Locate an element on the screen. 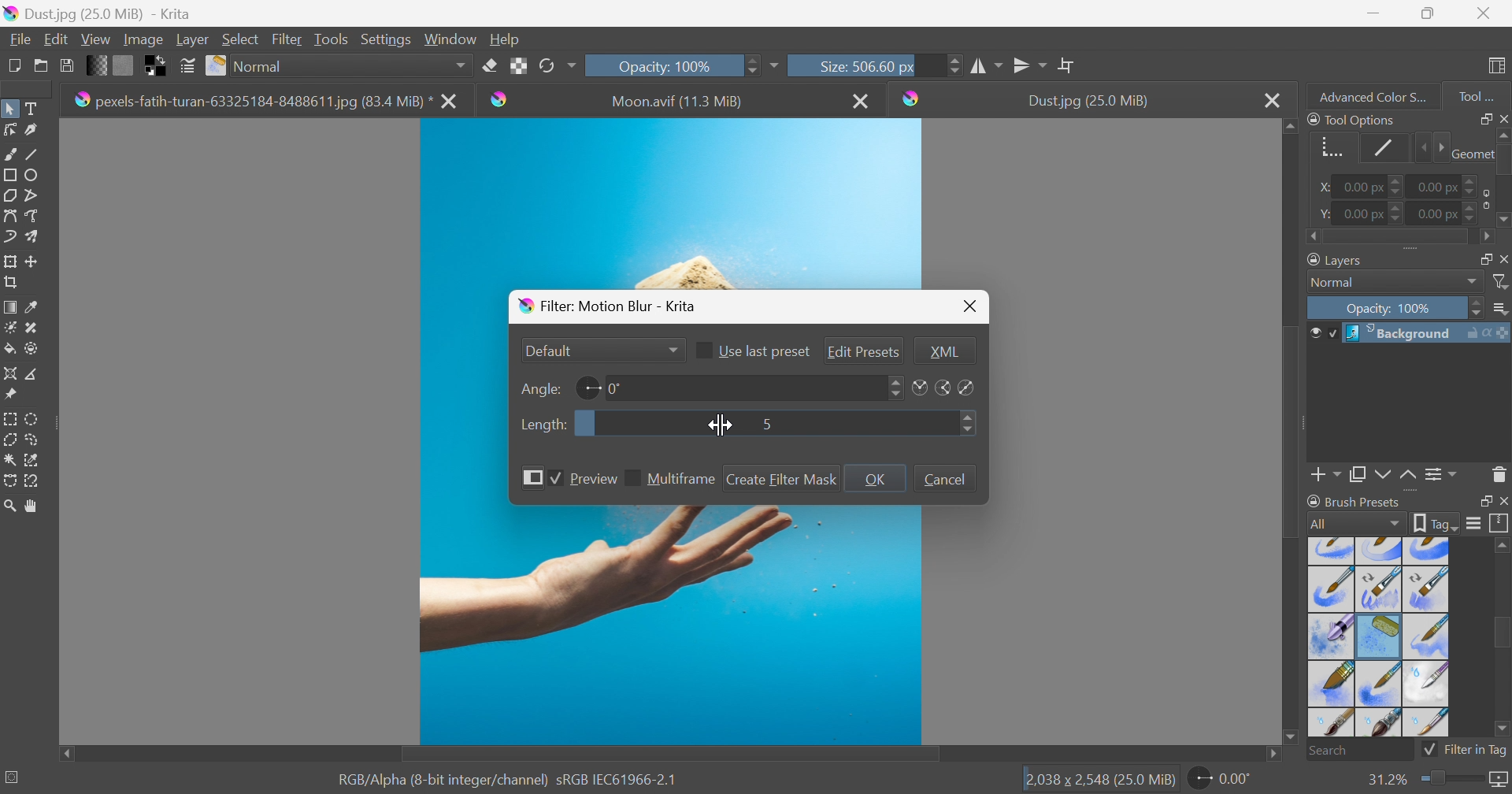  Angle: is located at coordinates (538, 388).